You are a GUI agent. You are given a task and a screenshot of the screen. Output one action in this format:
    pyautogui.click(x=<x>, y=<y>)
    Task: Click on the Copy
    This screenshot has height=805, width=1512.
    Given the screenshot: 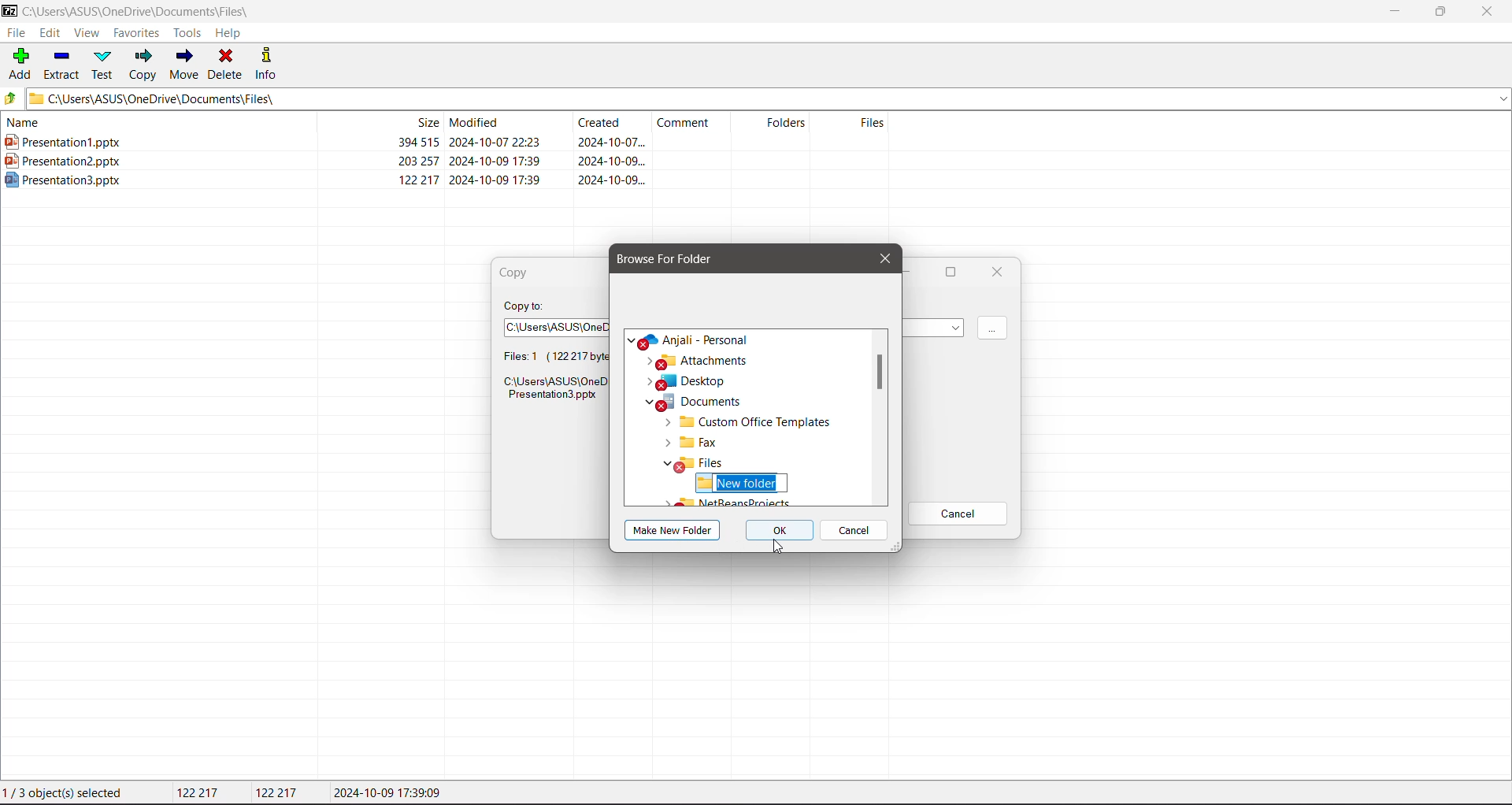 What is the action you would take?
    pyautogui.click(x=520, y=273)
    